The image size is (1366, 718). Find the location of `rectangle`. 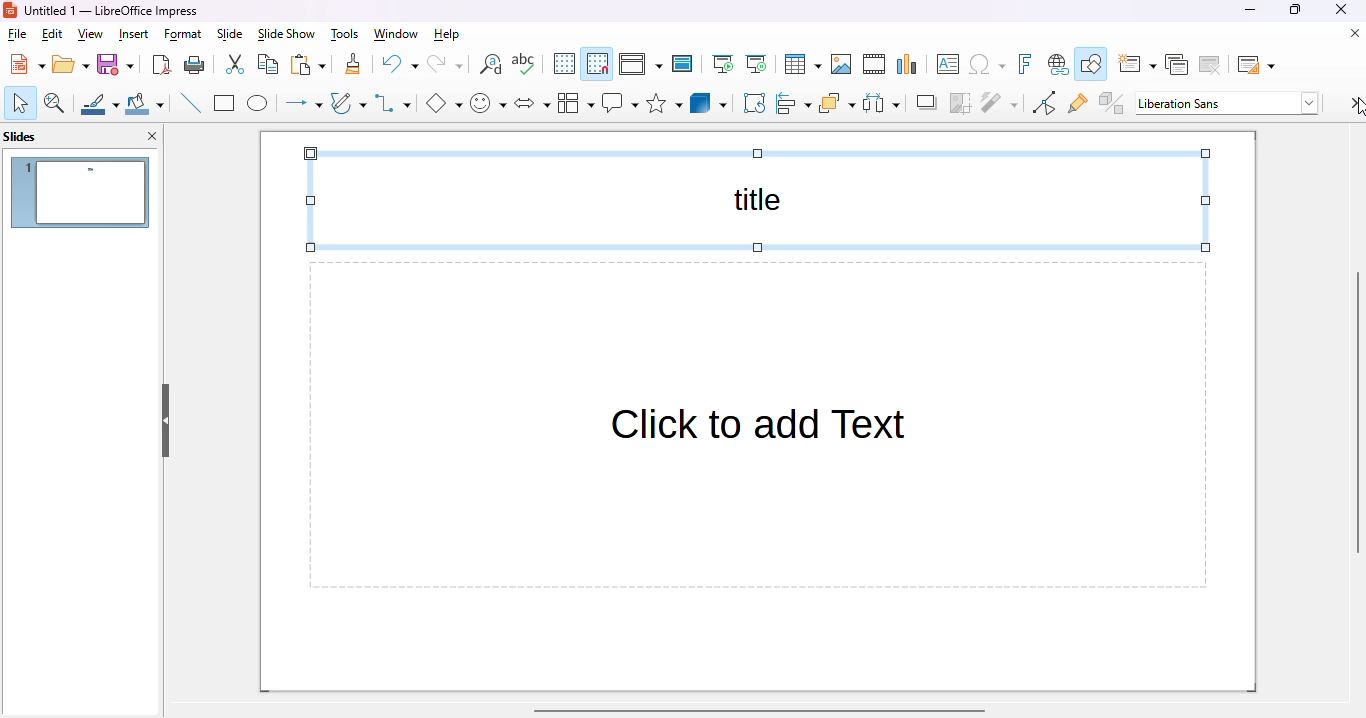

rectangle is located at coordinates (225, 103).